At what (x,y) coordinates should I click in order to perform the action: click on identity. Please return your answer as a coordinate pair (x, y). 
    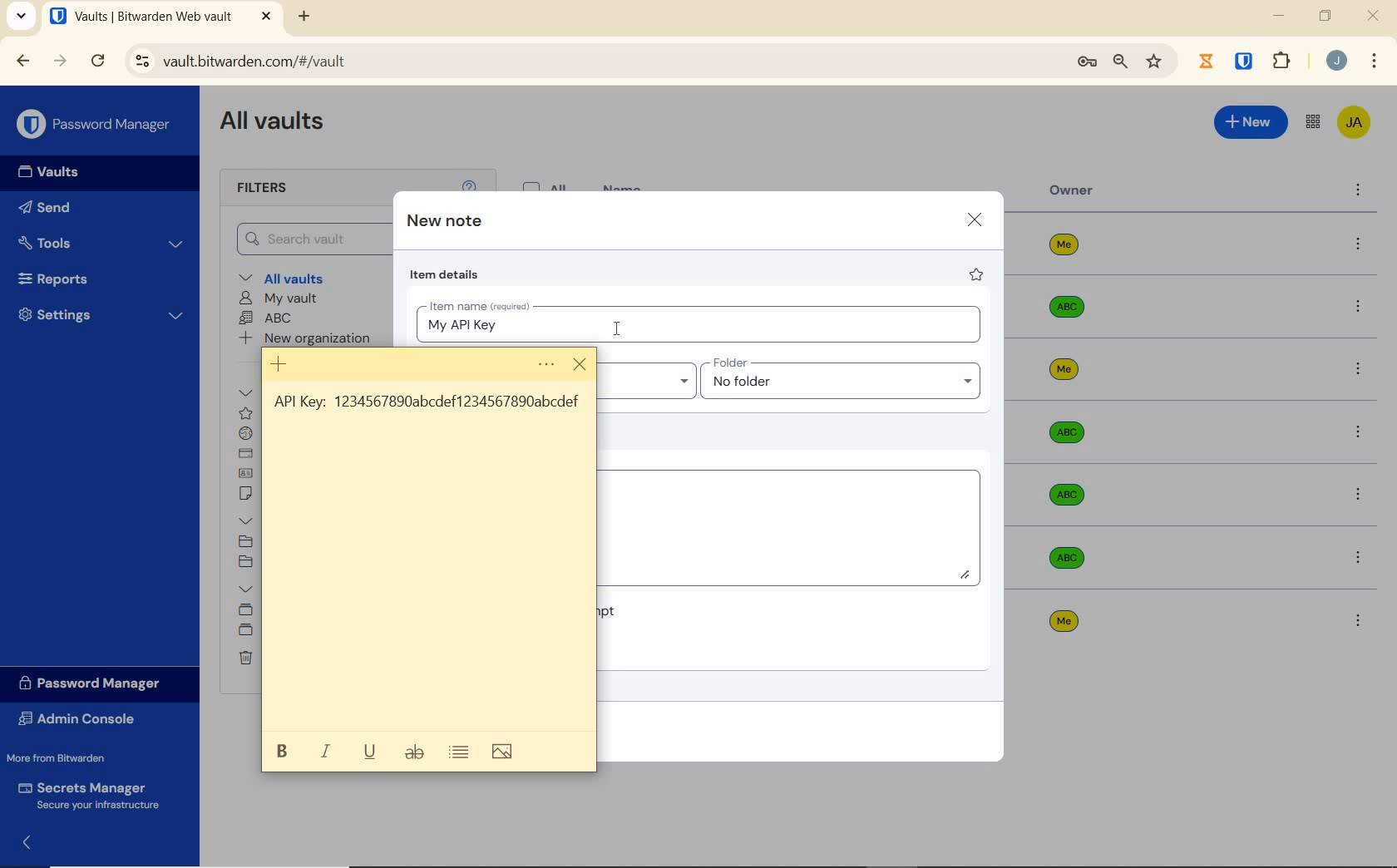
    Looking at the image, I should click on (248, 474).